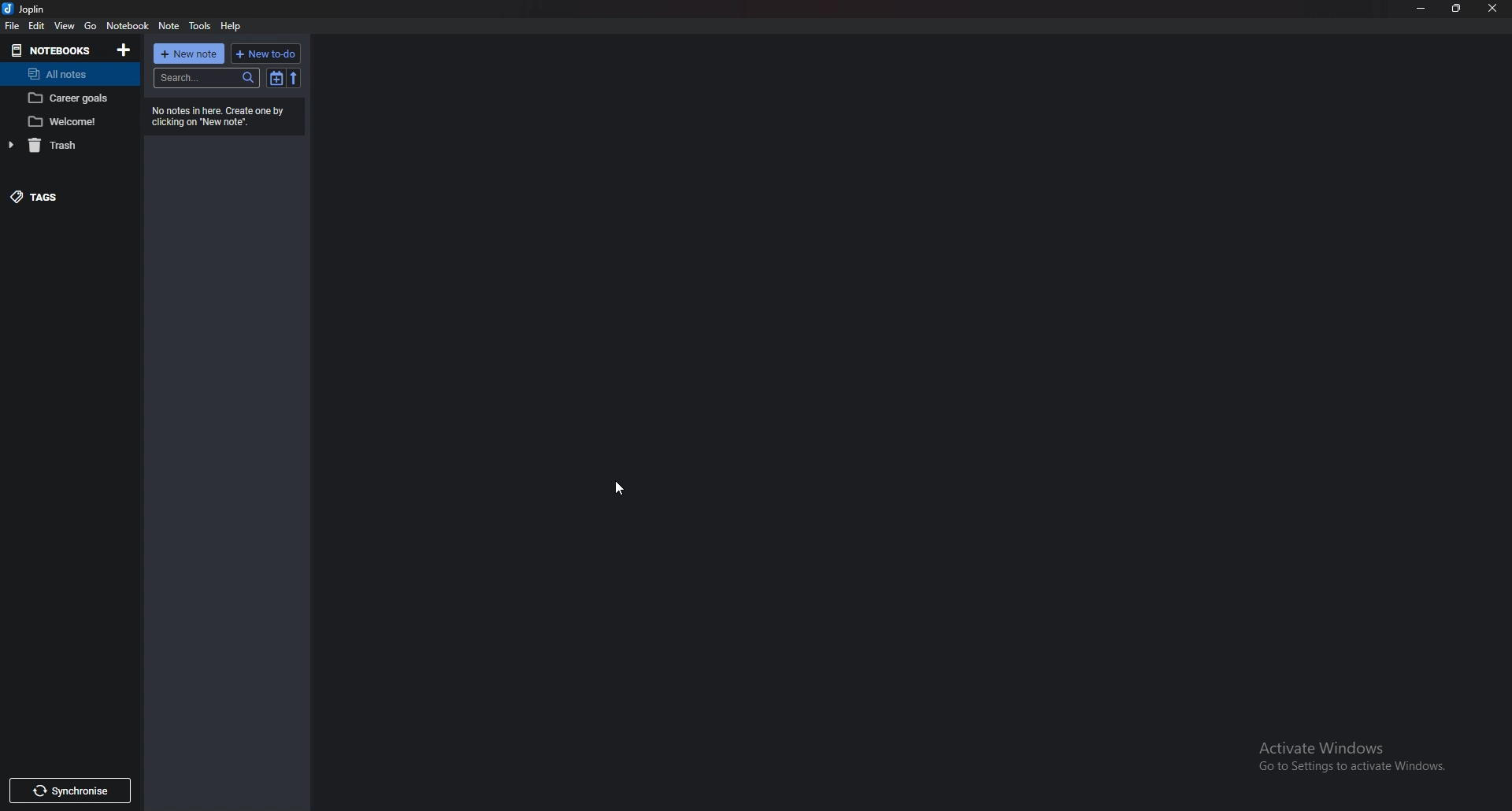  I want to click on synchronize, so click(71, 790).